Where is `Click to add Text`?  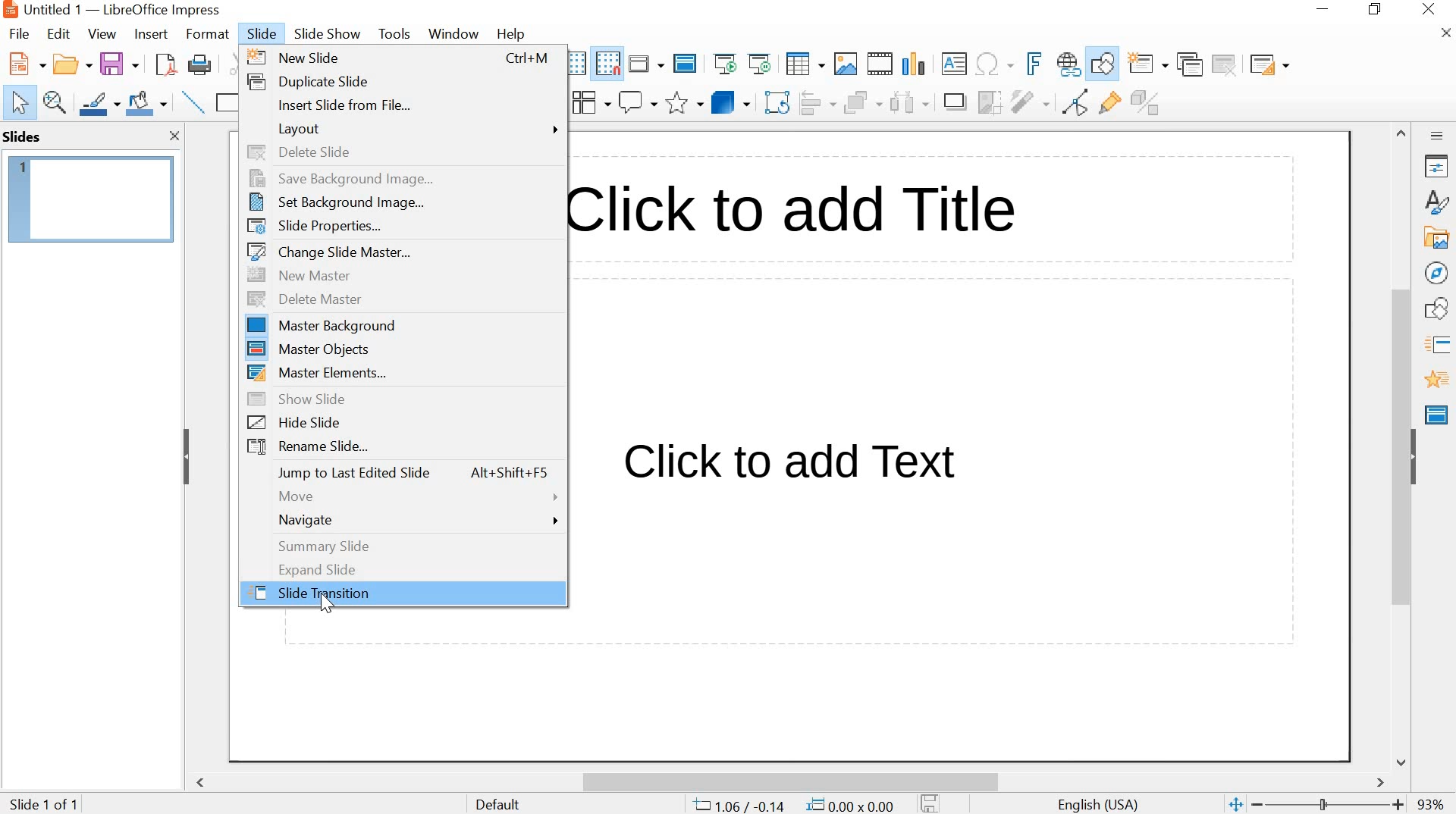 Click to add Text is located at coordinates (808, 468).